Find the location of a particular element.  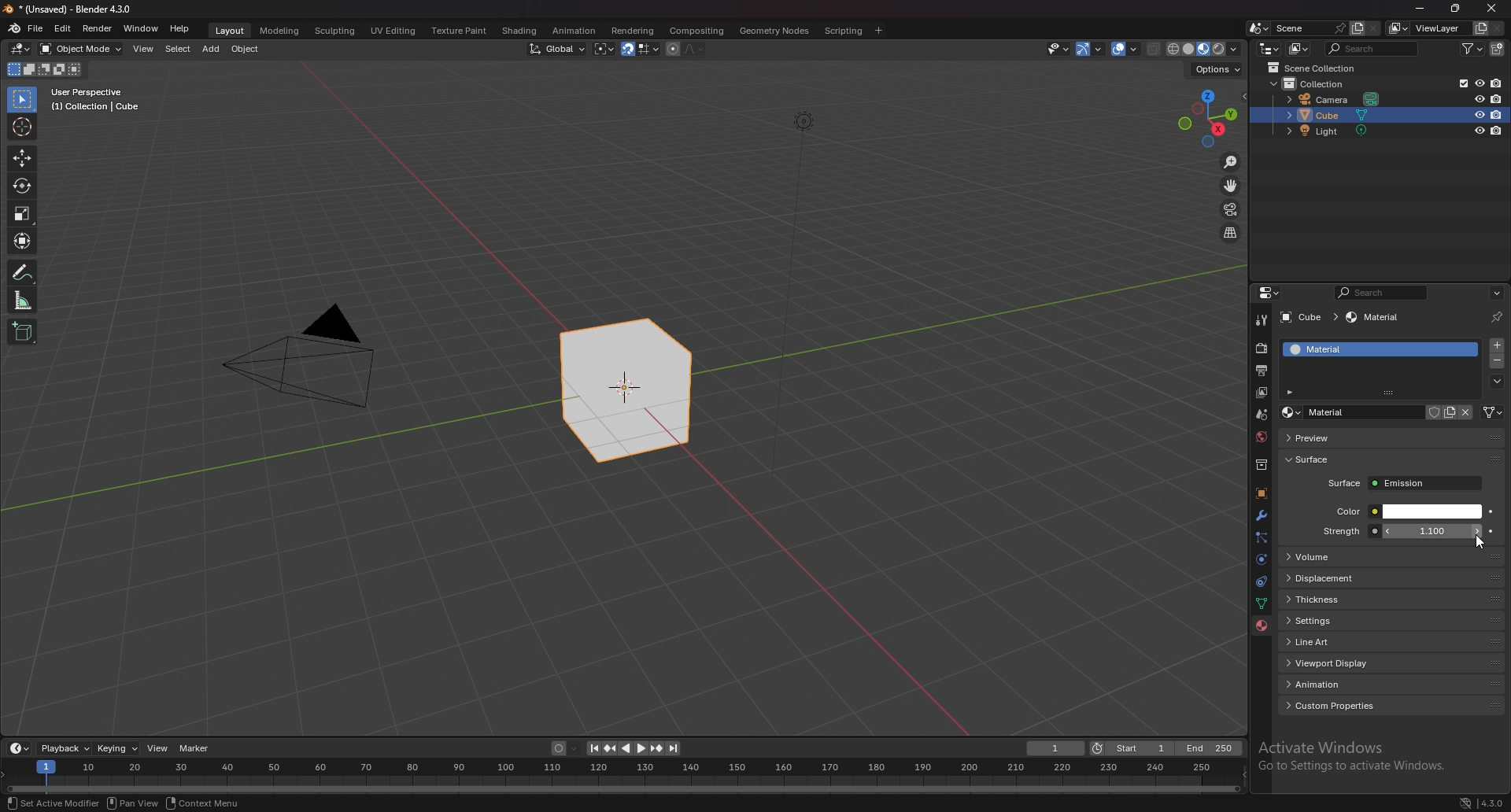

start 1 is located at coordinates (1132, 749).